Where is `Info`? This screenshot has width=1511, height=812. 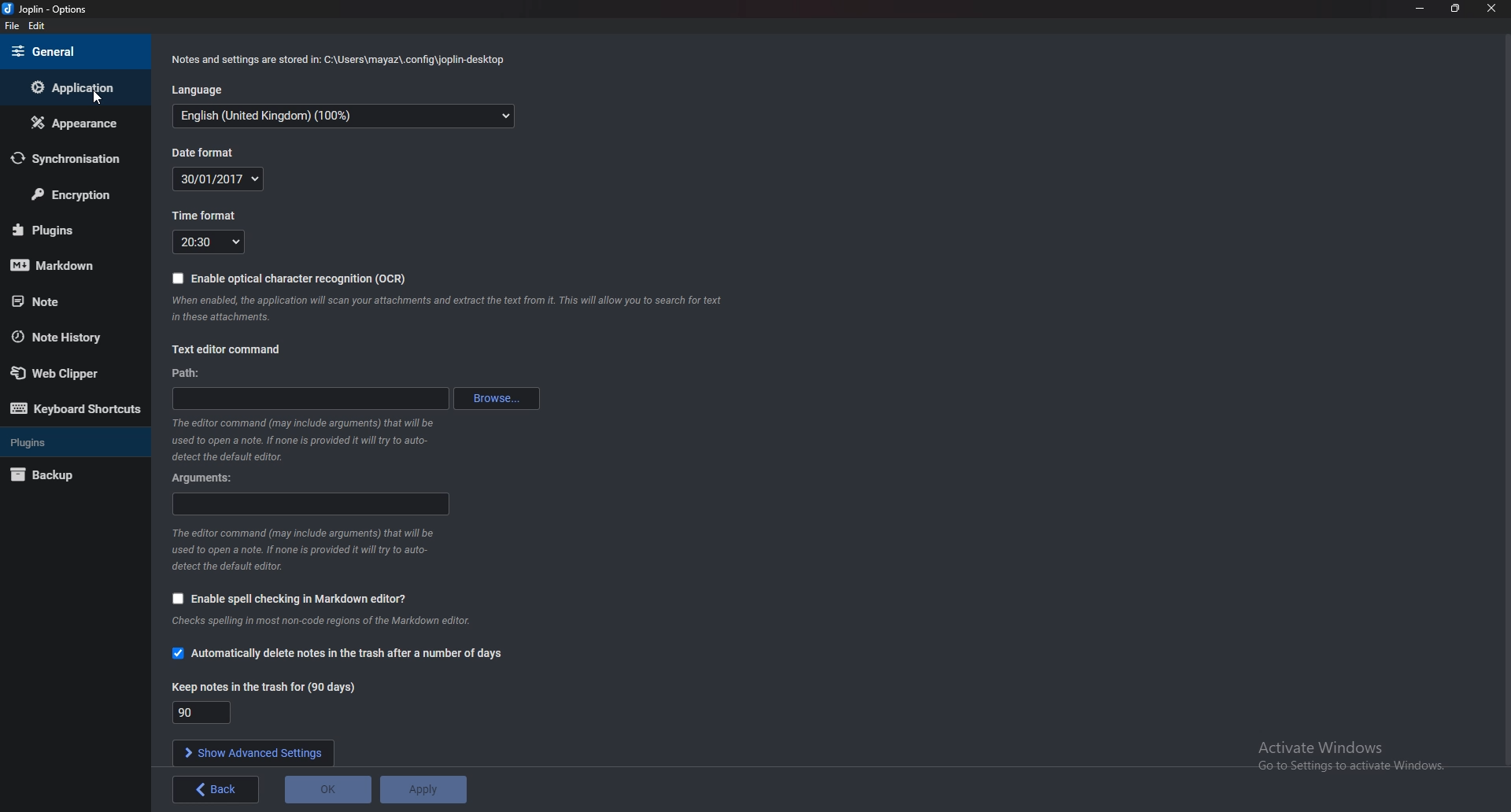
Info is located at coordinates (305, 550).